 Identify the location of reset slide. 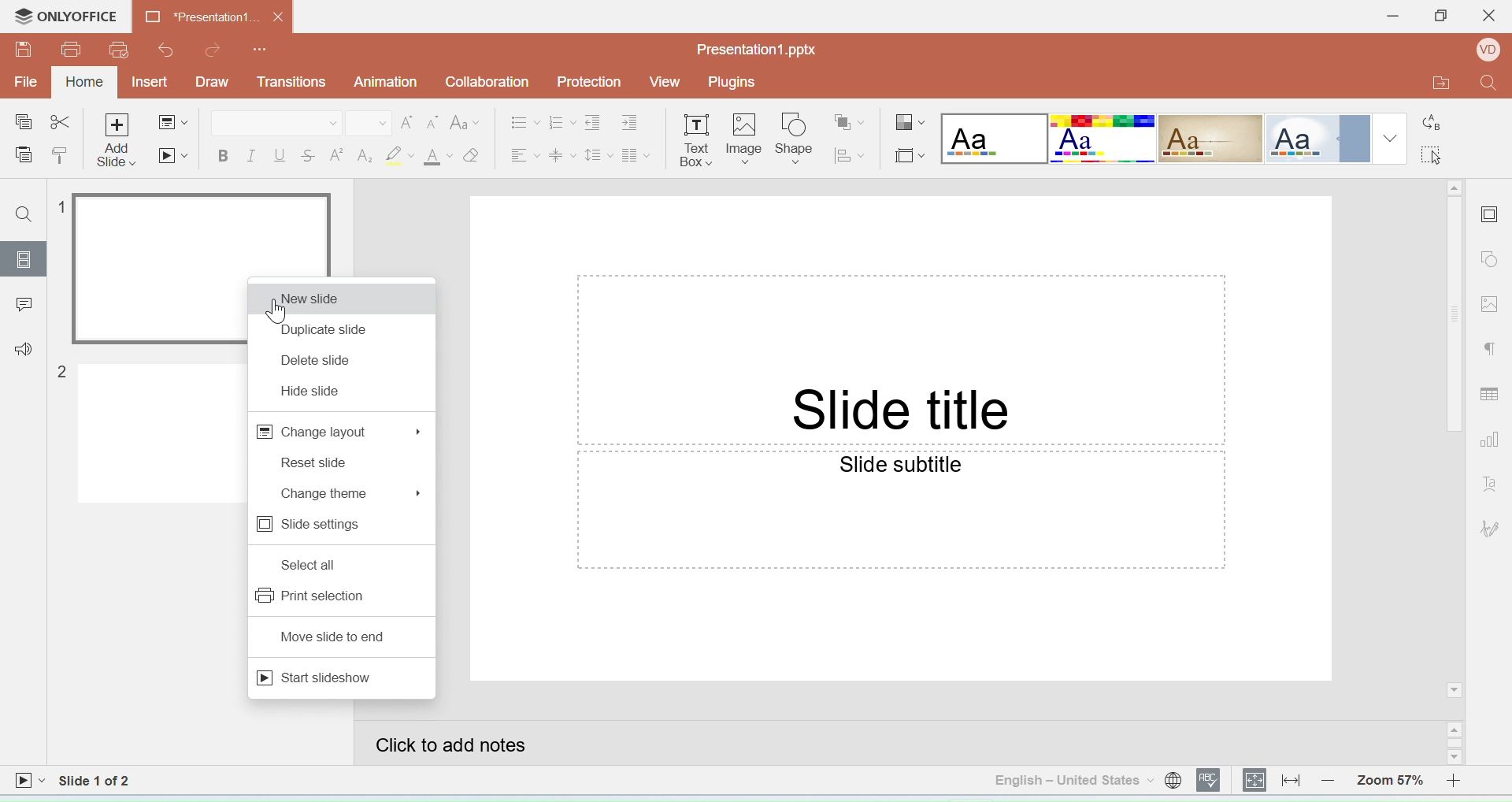
(314, 463).